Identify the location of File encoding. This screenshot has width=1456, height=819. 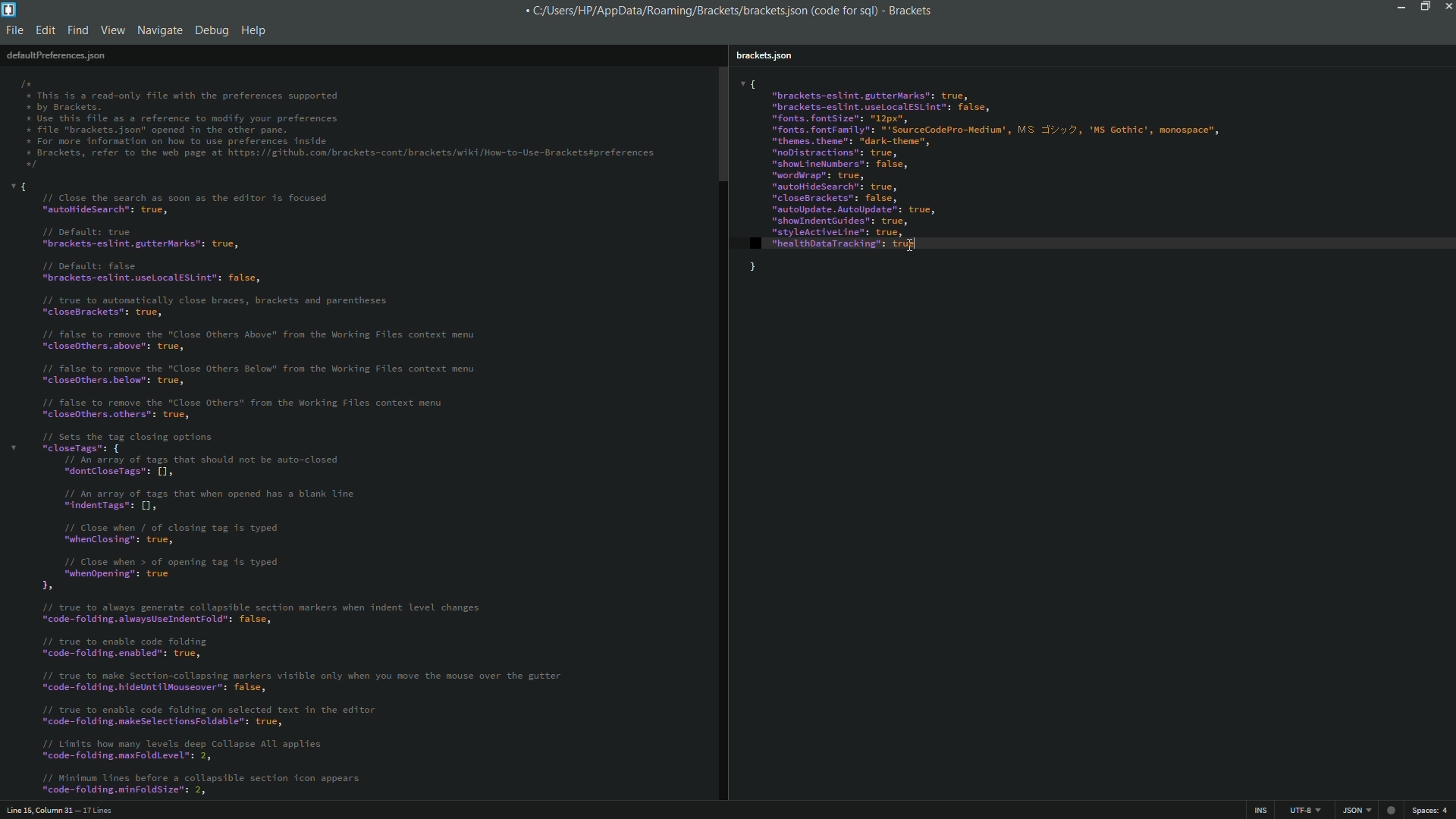
(1302, 811).